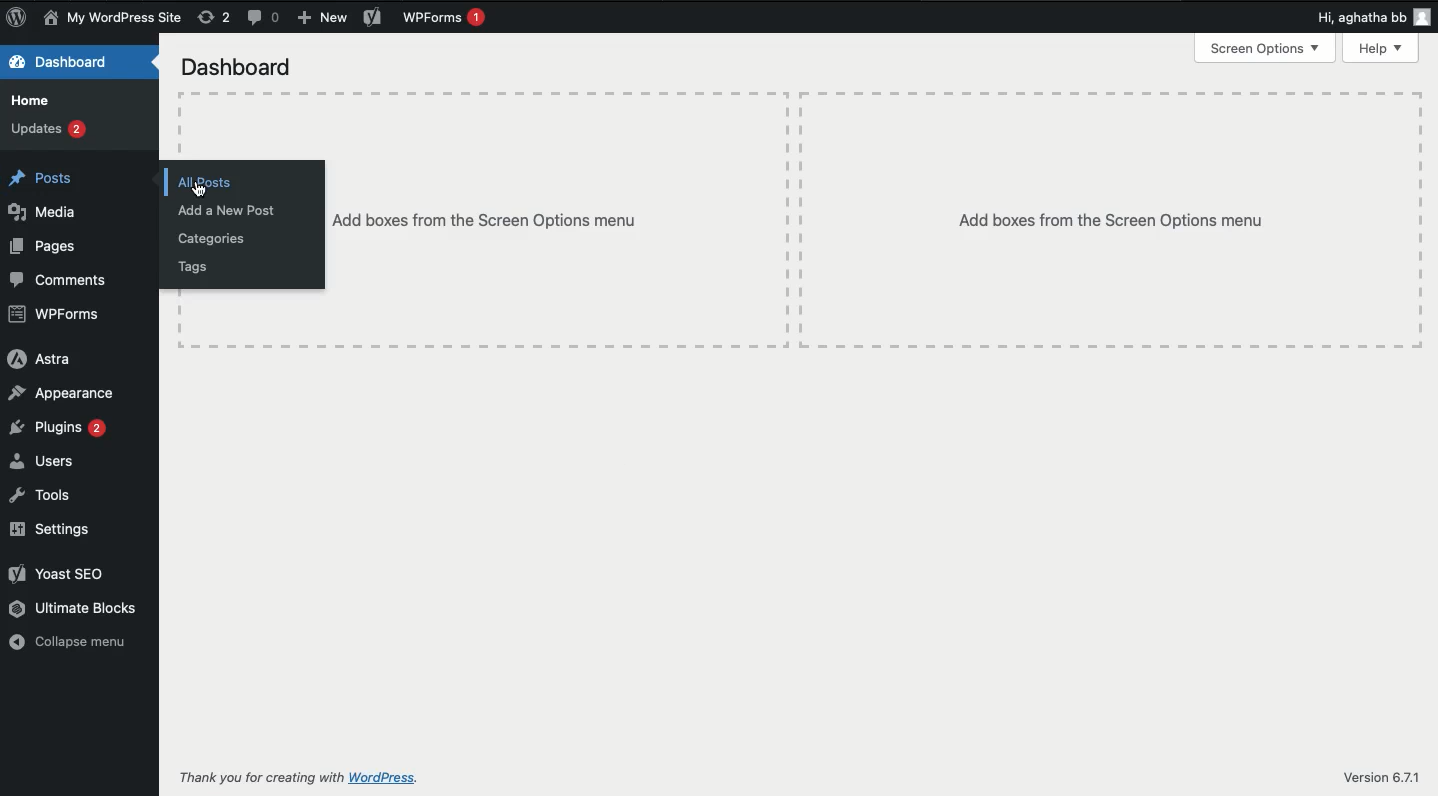  Describe the element at coordinates (320, 19) in the screenshot. I see `New` at that location.